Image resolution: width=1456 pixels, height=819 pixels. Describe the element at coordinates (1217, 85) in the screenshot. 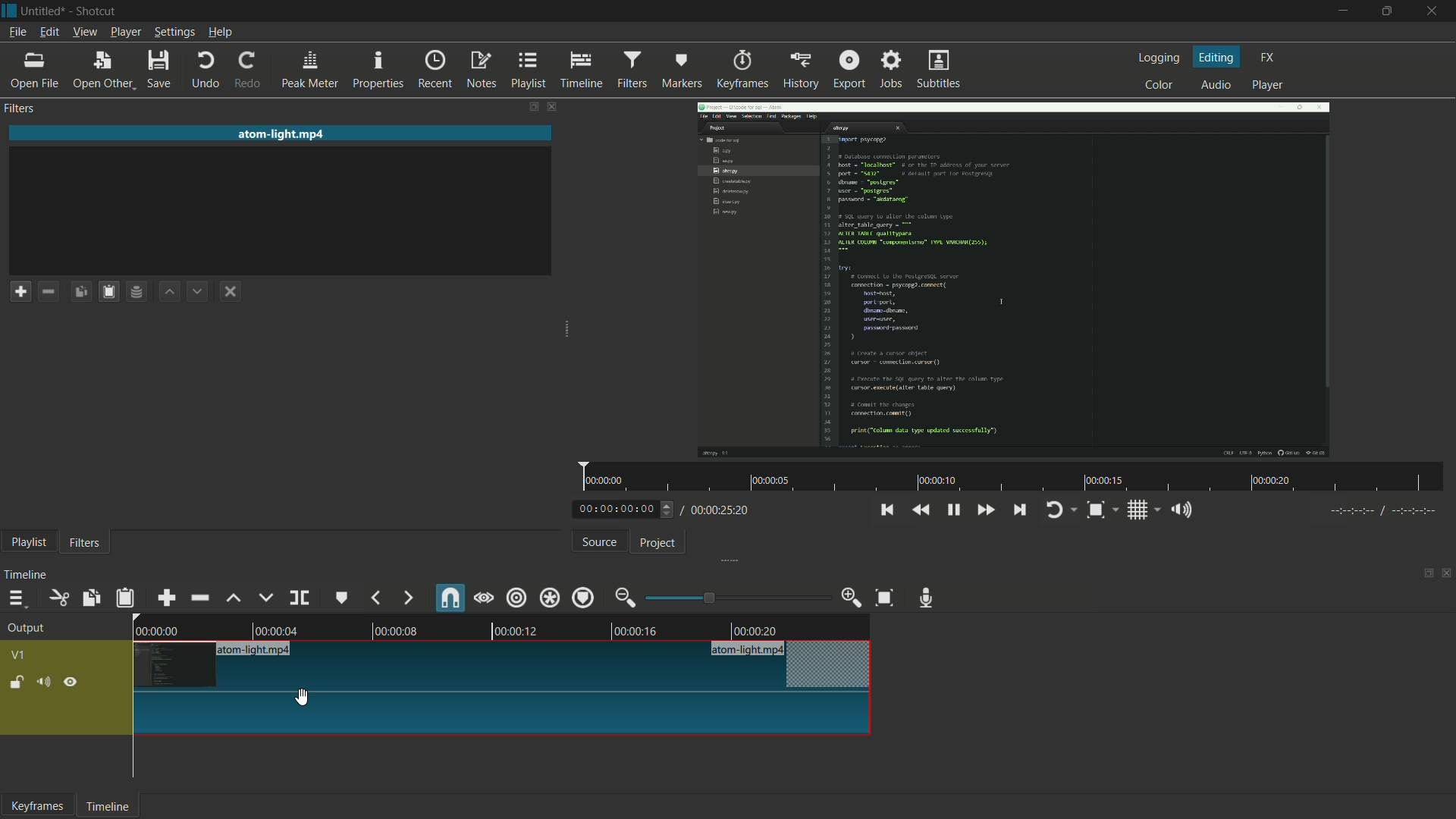

I see `audio` at that location.